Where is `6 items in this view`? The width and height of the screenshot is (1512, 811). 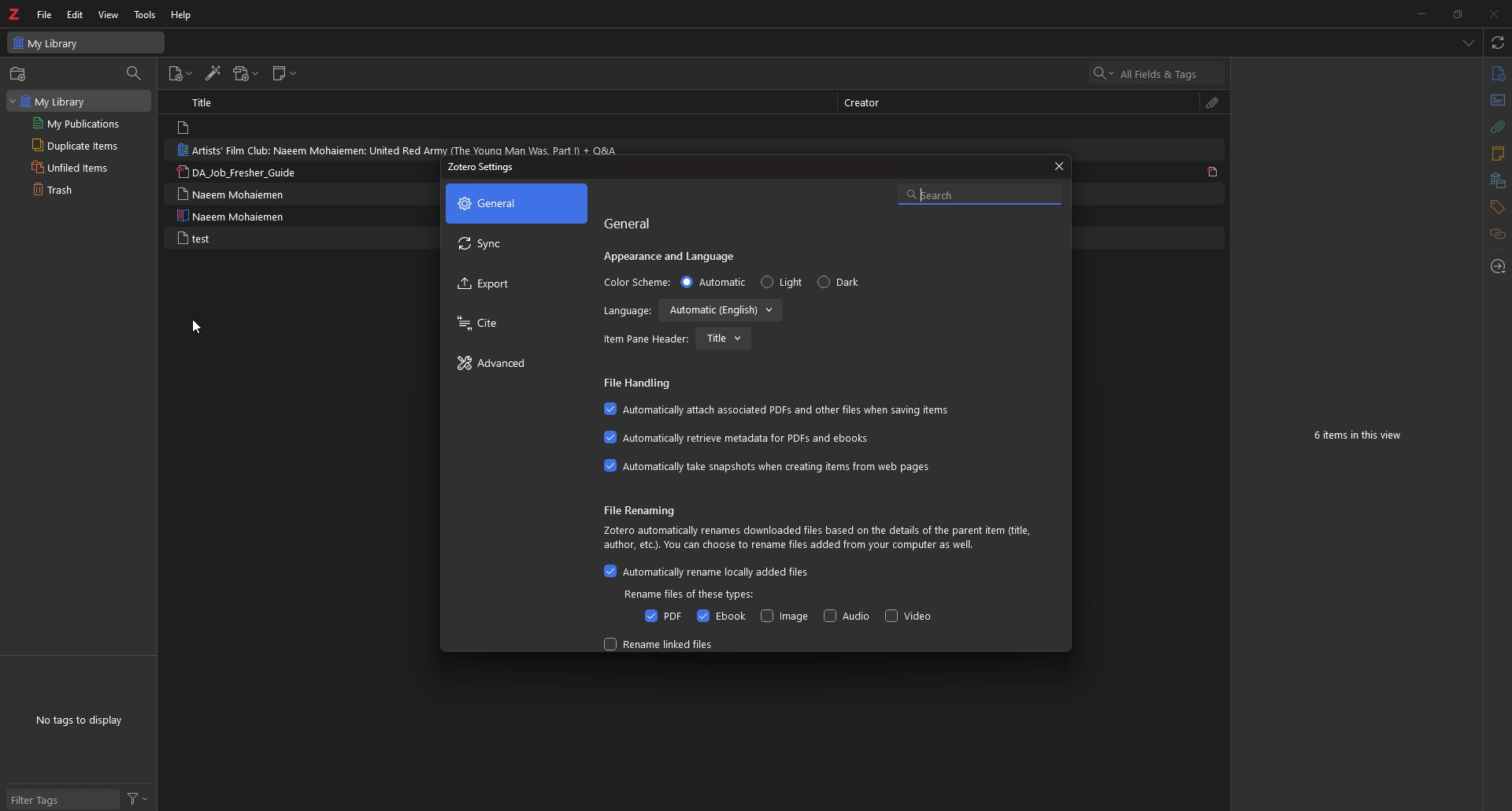
6 items in this view is located at coordinates (1361, 436).